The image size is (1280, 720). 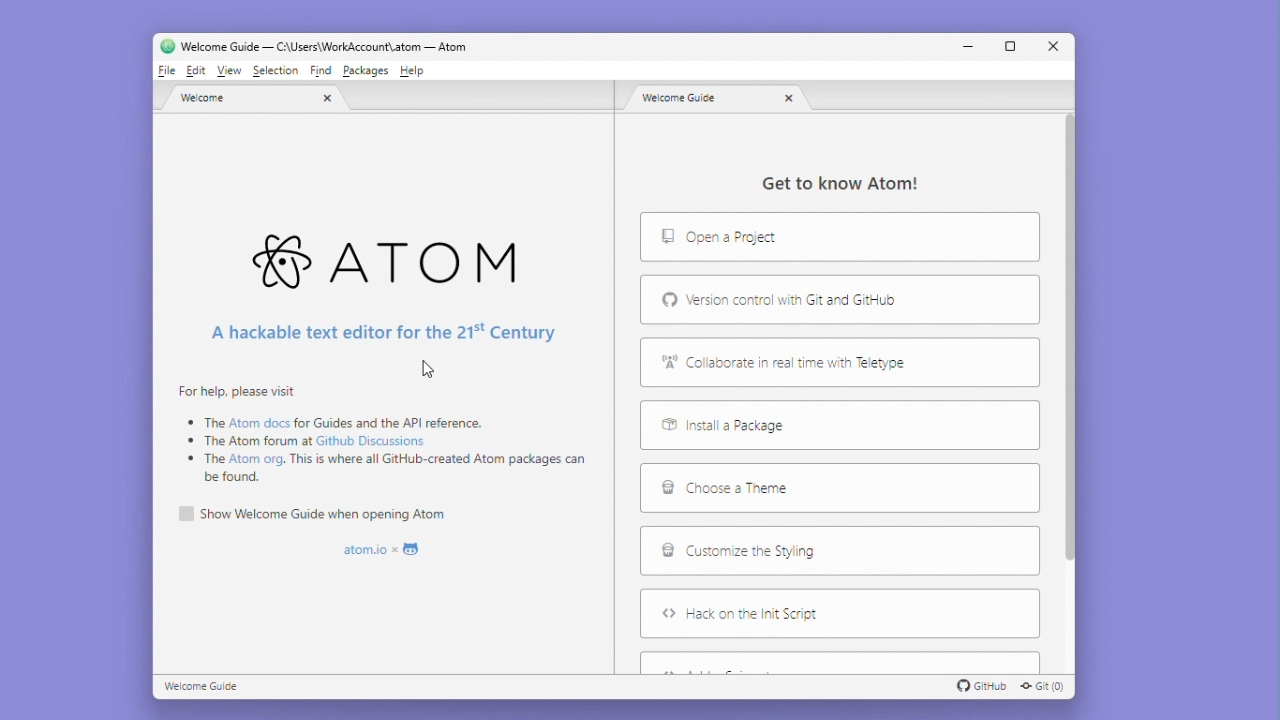 What do you see at coordinates (226, 71) in the screenshot?
I see `View ` at bounding box center [226, 71].